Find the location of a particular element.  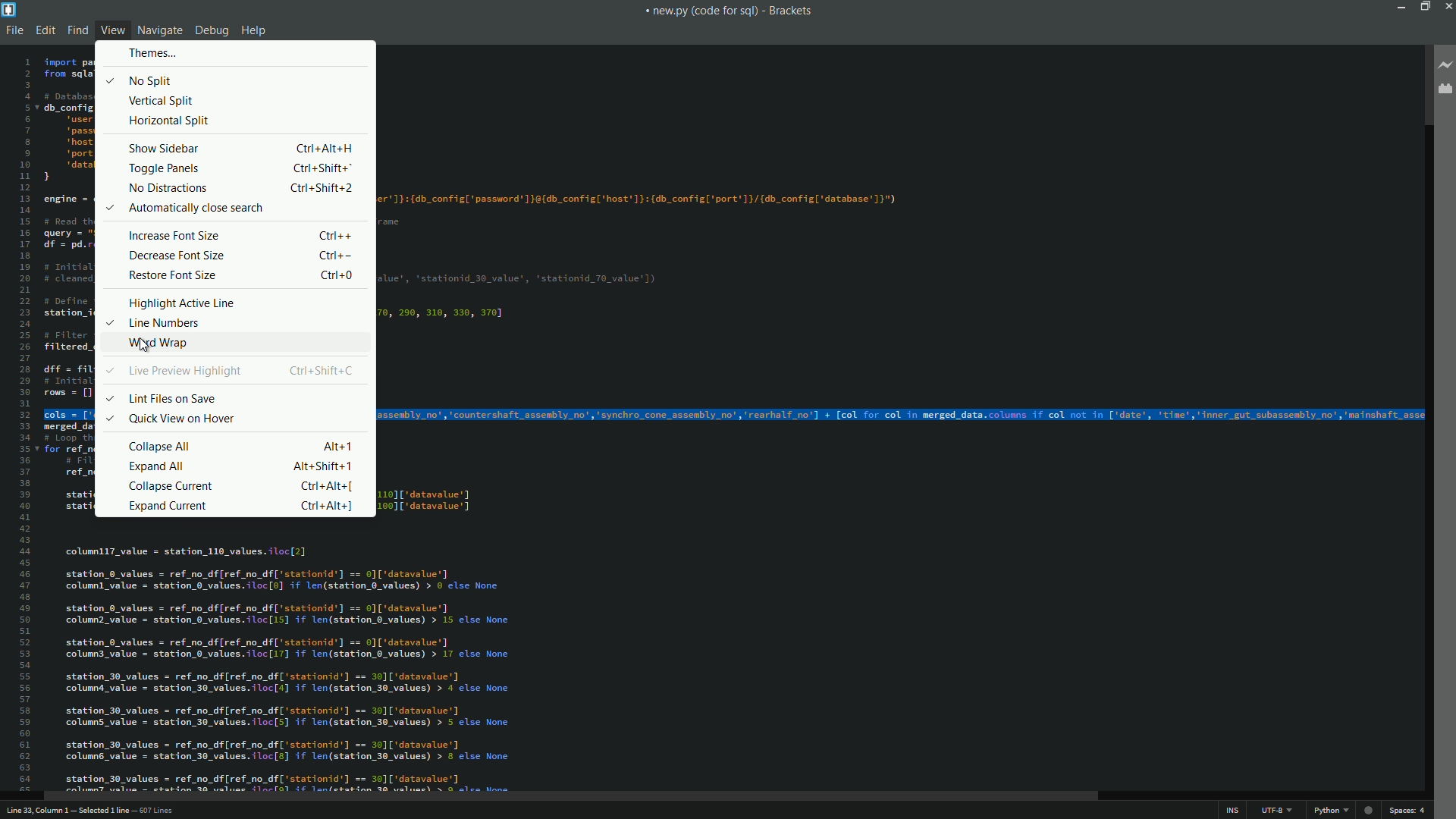

lint files on save is located at coordinates (162, 398).